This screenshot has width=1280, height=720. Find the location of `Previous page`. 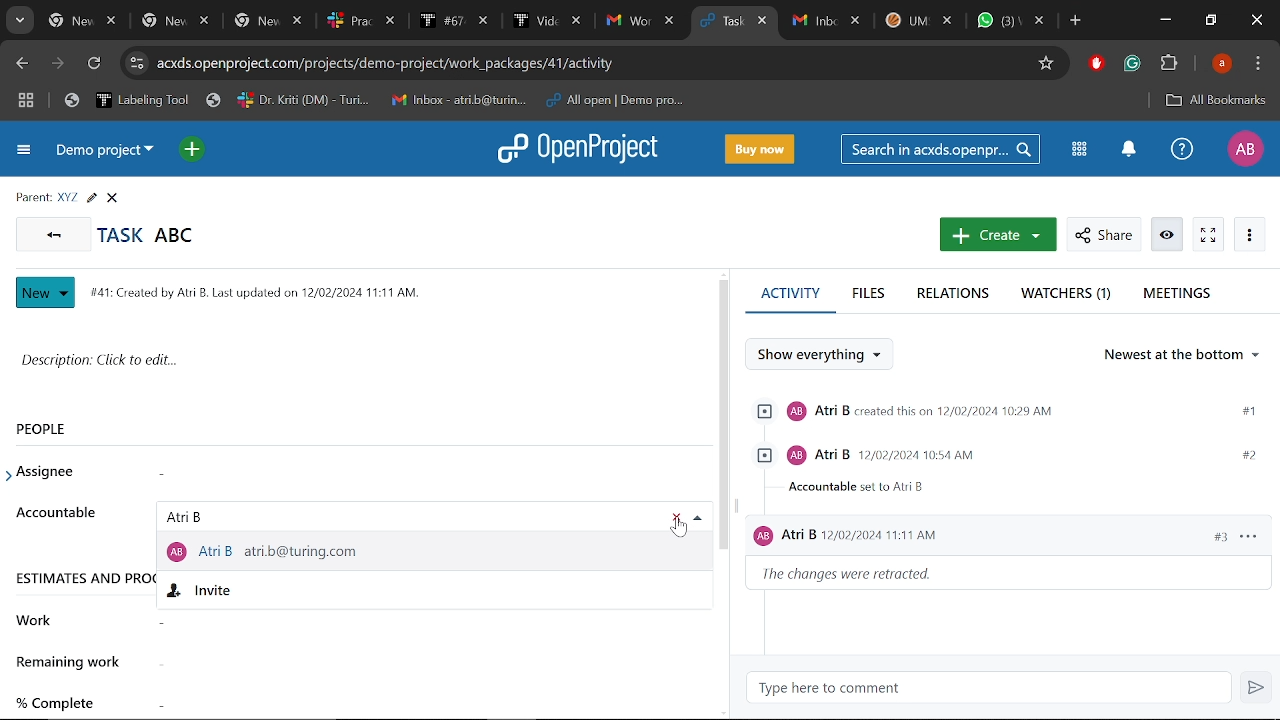

Previous page is located at coordinates (23, 64).